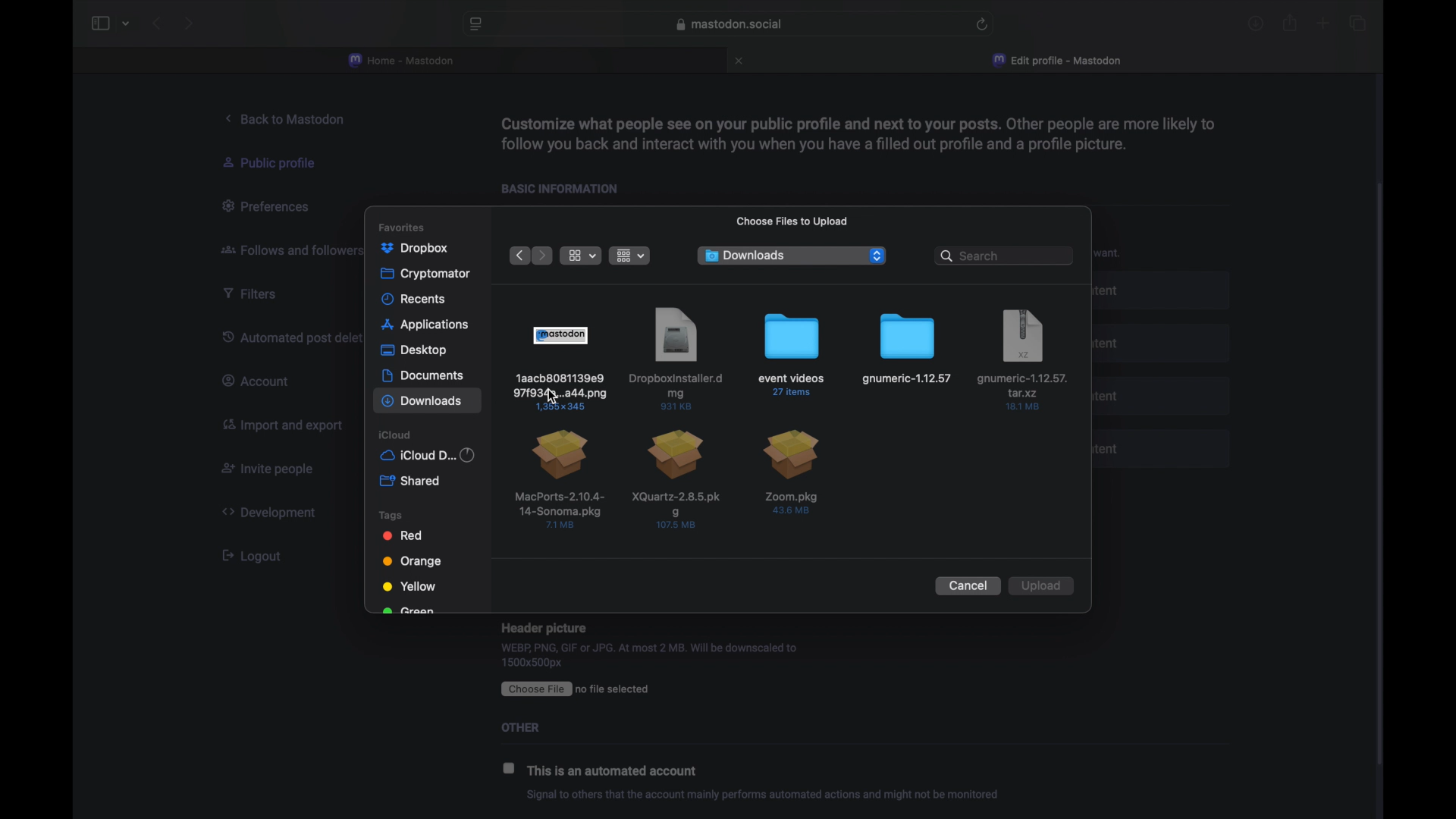 Image resolution: width=1456 pixels, height=819 pixels. Describe the element at coordinates (269, 207) in the screenshot. I see `preferences` at that location.